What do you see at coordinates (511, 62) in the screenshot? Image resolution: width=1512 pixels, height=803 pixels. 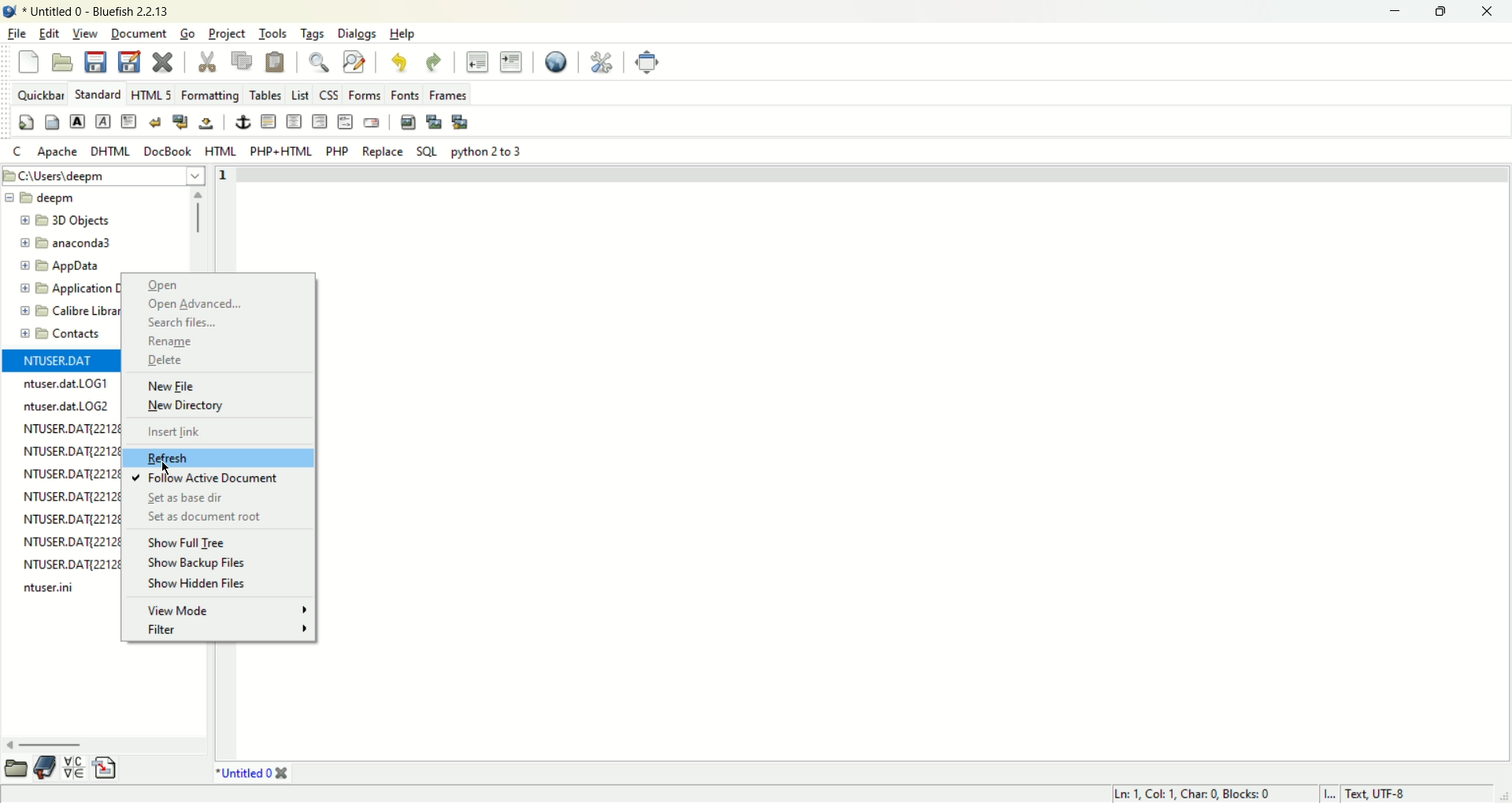 I see `indent` at bounding box center [511, 62].